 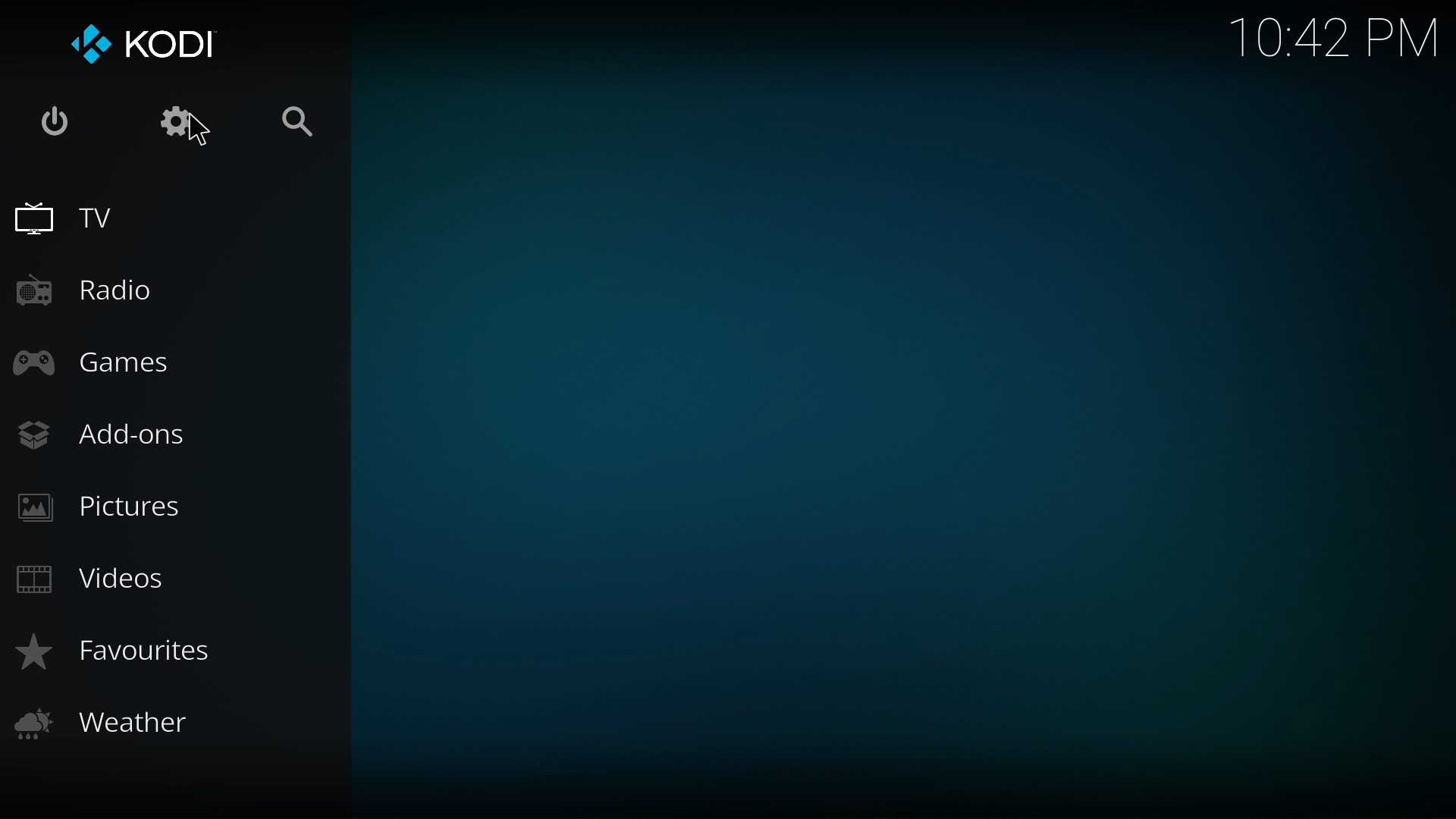 I want to click on search, so click(x=306, y=118).